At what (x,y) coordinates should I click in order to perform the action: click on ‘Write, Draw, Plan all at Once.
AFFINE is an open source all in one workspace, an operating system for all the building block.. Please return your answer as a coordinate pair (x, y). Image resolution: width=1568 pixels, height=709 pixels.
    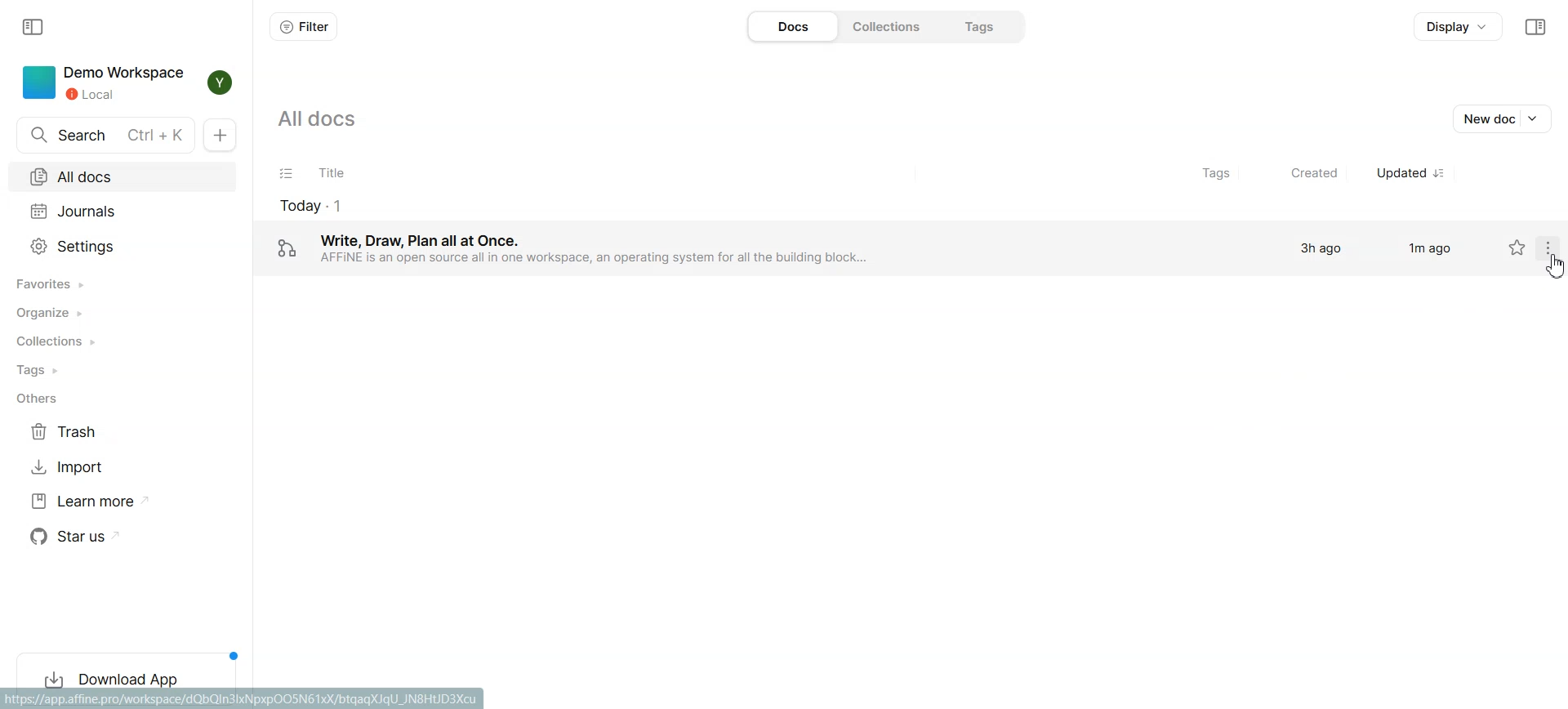
    Looking at the image, I should click on (637, 250).